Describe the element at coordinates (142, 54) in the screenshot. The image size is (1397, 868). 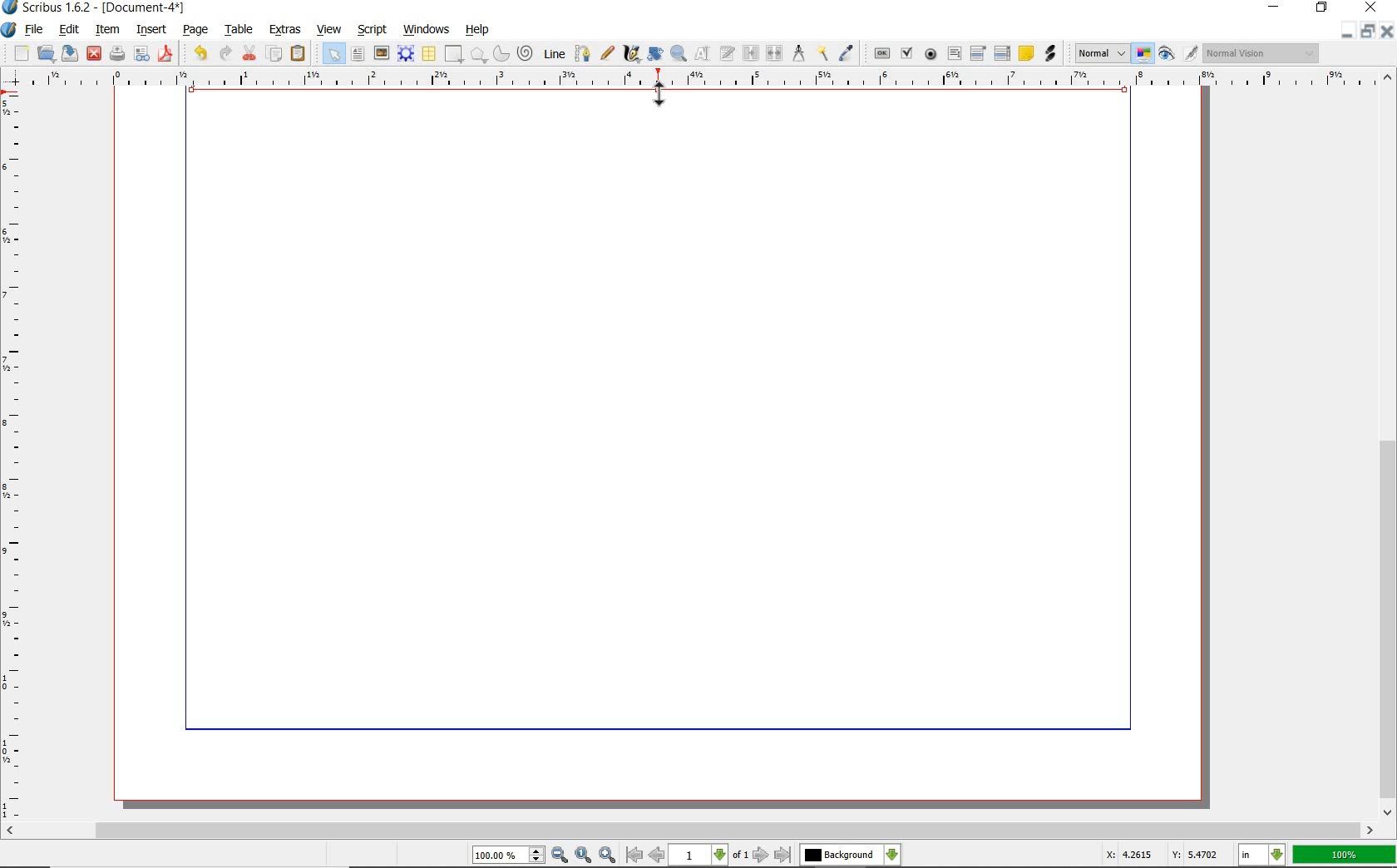
I see `preflight verifier` at that location.